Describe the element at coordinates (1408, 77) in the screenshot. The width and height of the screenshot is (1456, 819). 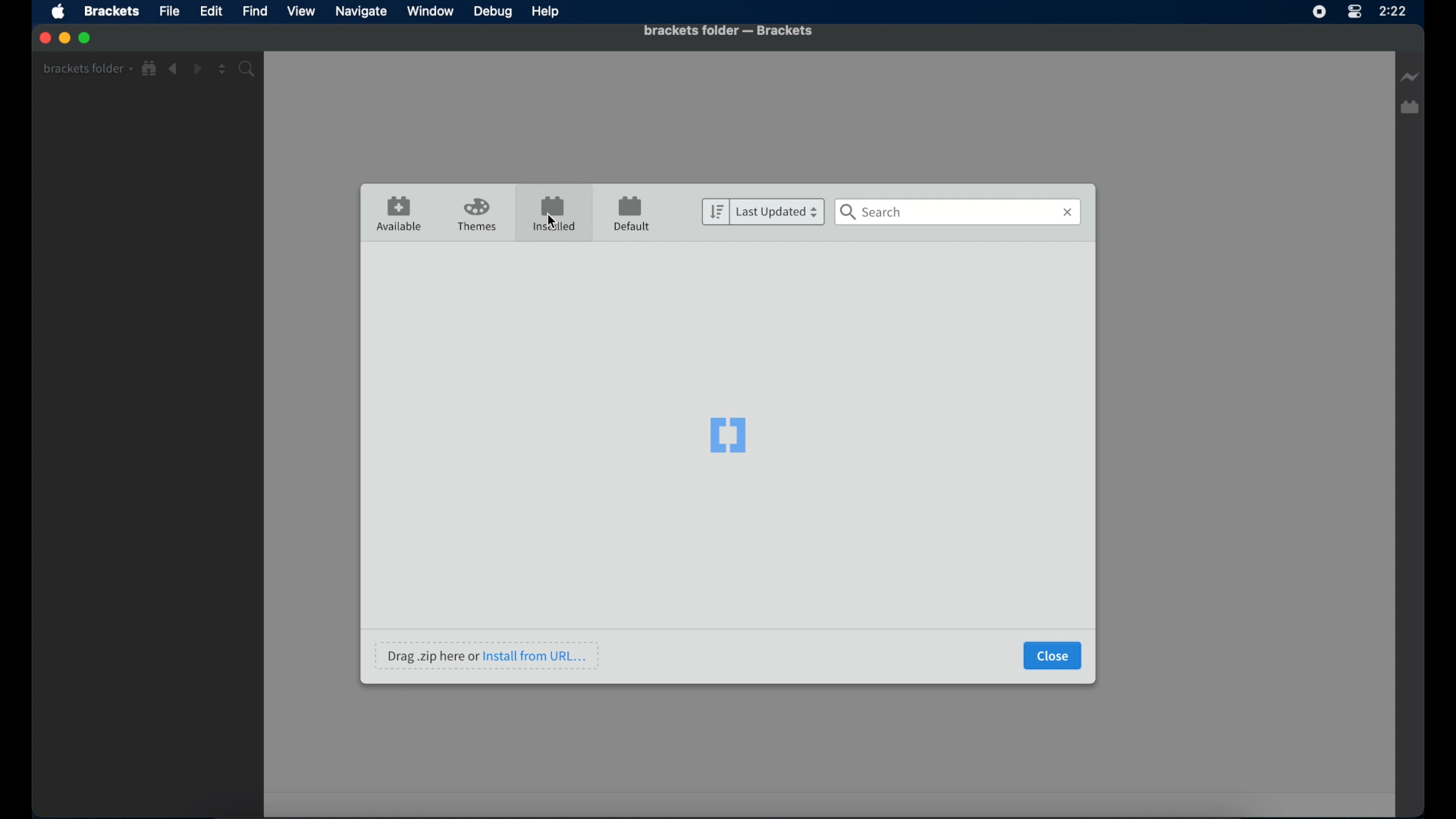
I see `live preview` at that location.